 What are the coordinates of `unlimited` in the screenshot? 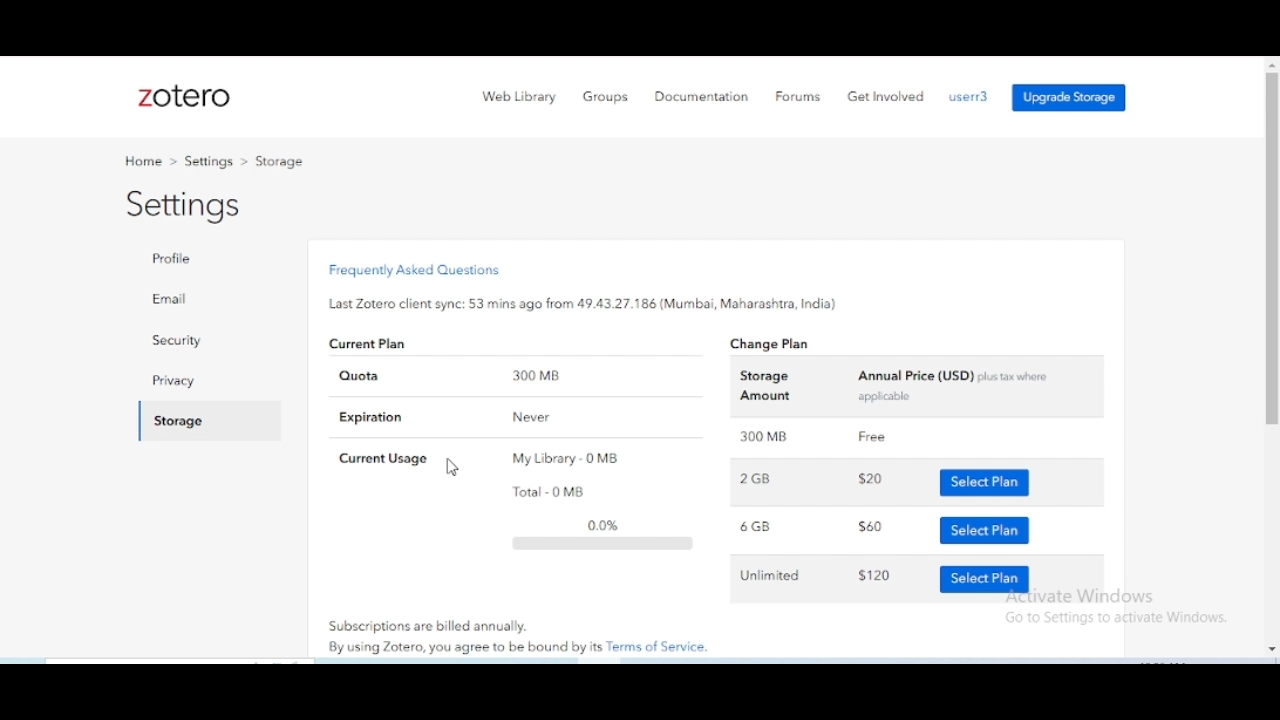 It's located at (770, 576).